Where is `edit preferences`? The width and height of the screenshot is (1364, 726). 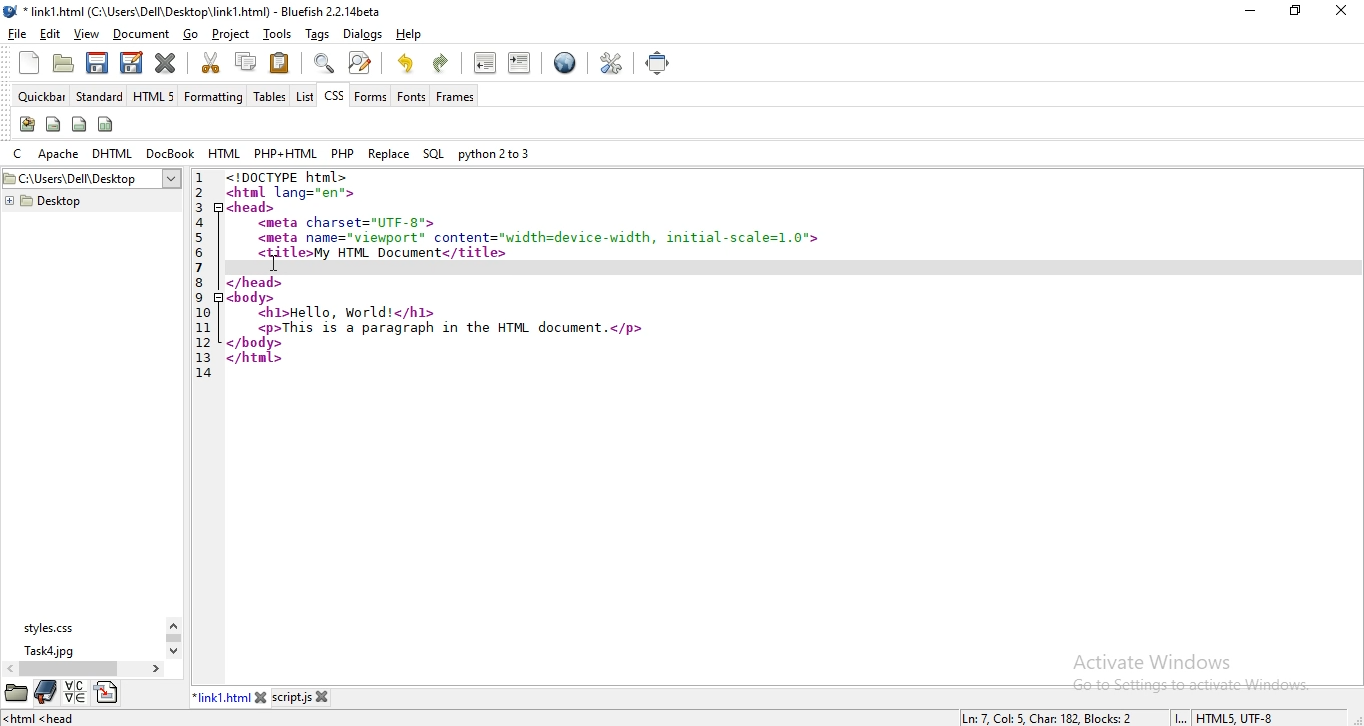
edit preferences is located at coordinates (611, 64).